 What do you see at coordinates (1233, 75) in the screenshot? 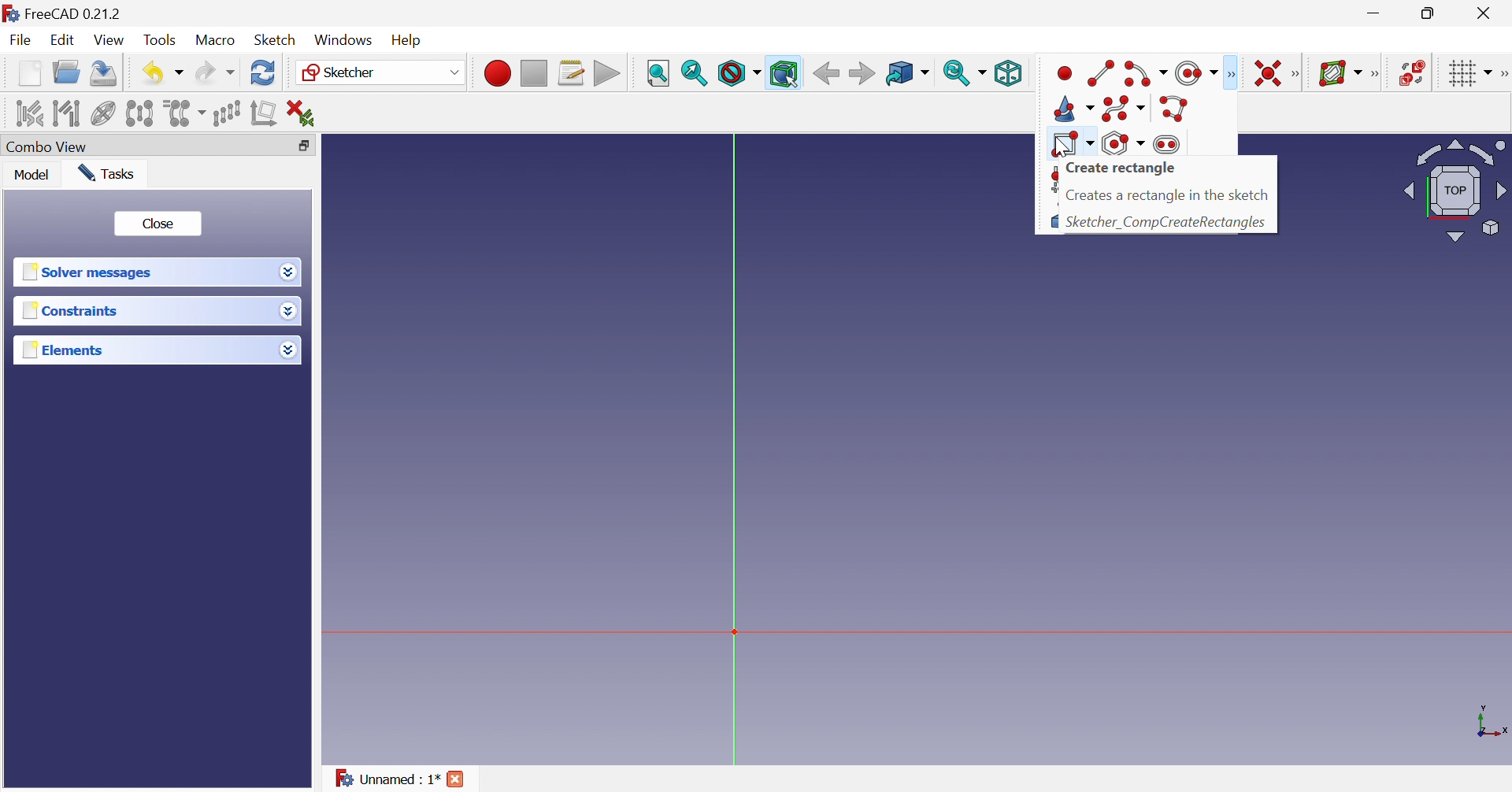
I see `Sketcher geometries` at bounding box center [1233, 75].